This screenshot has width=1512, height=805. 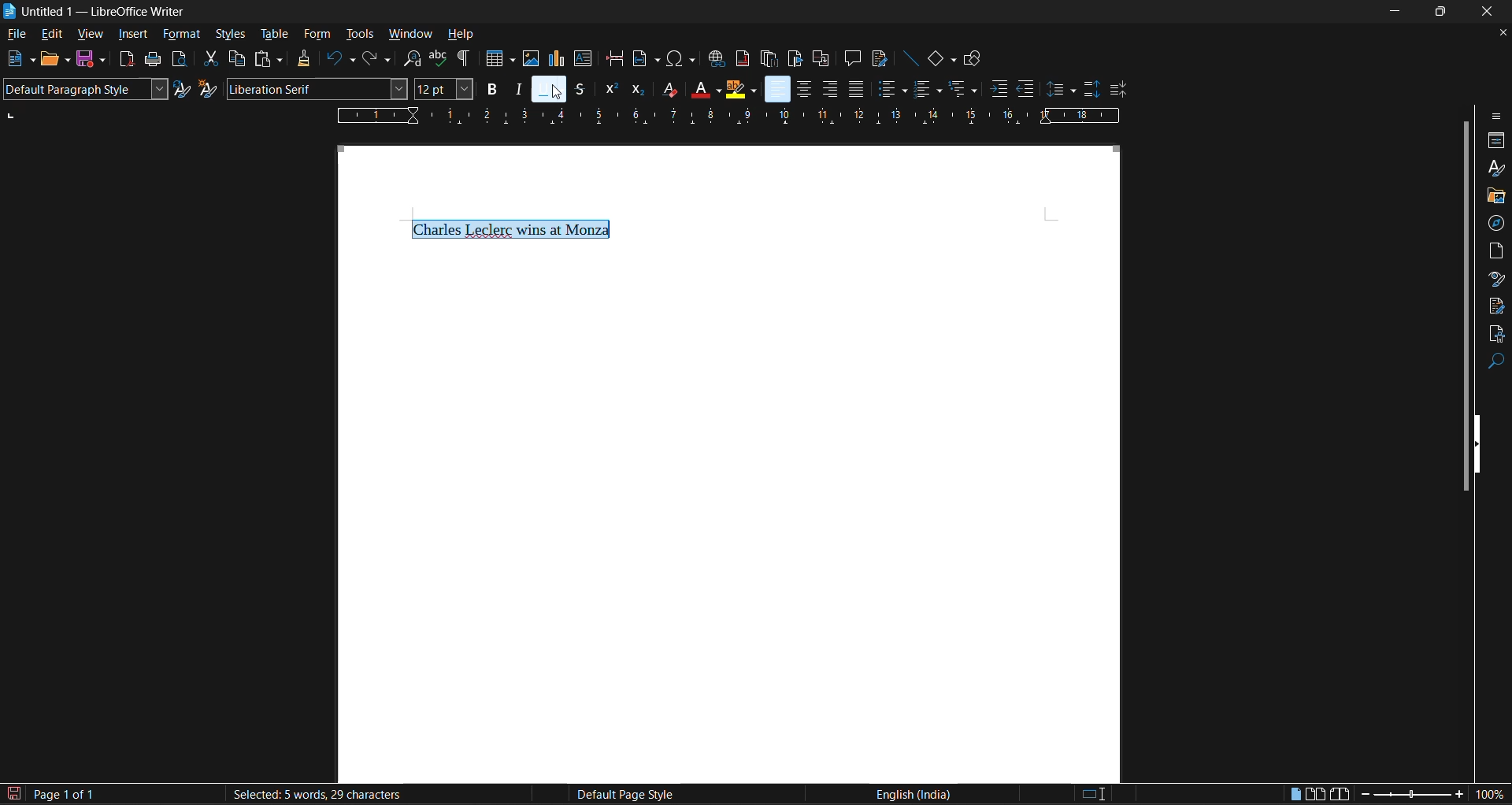 I want to click on navigator, so click(x=1496, y=224).